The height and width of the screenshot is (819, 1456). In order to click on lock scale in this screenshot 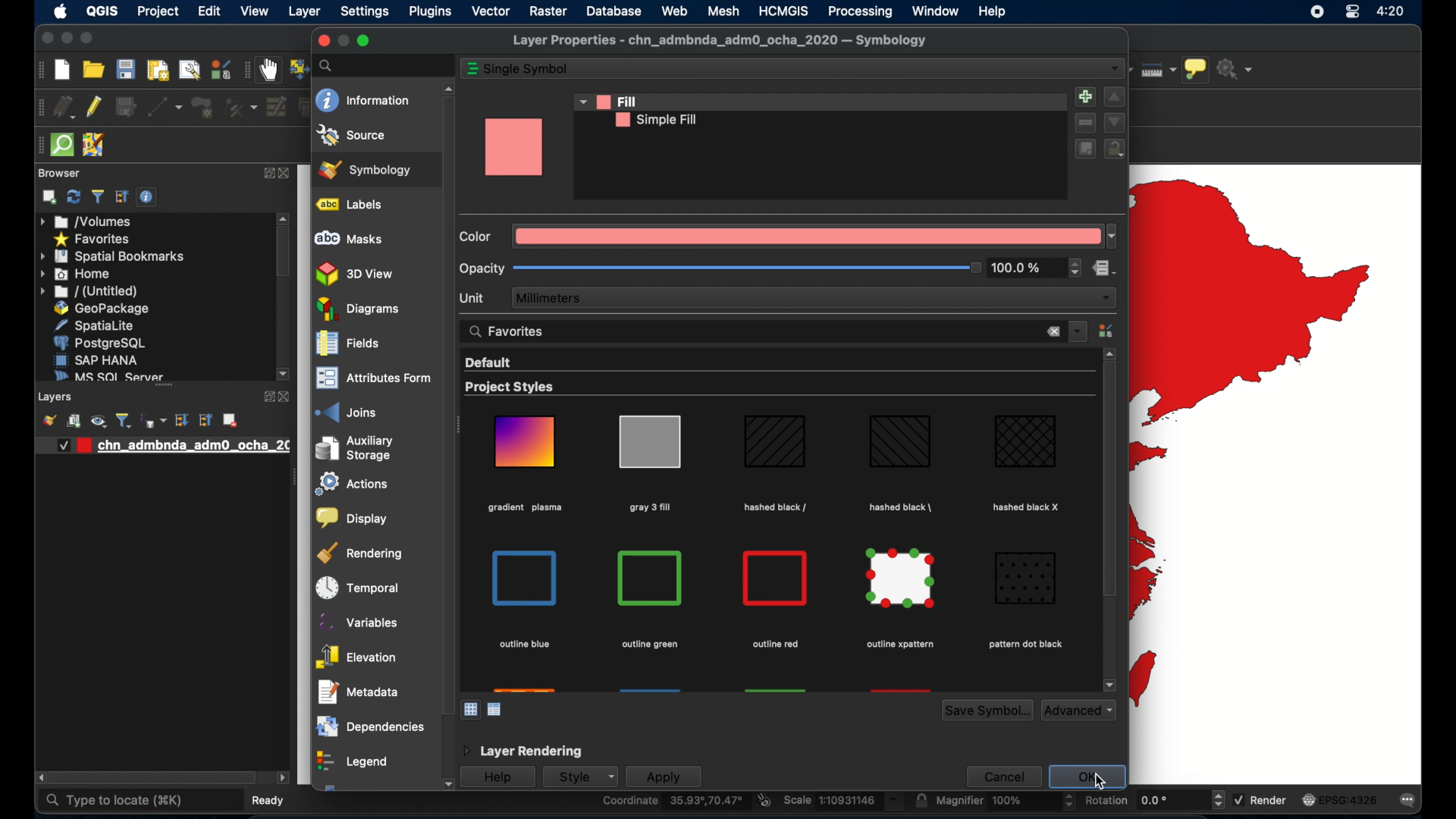, I will do `click(921, 801)`.